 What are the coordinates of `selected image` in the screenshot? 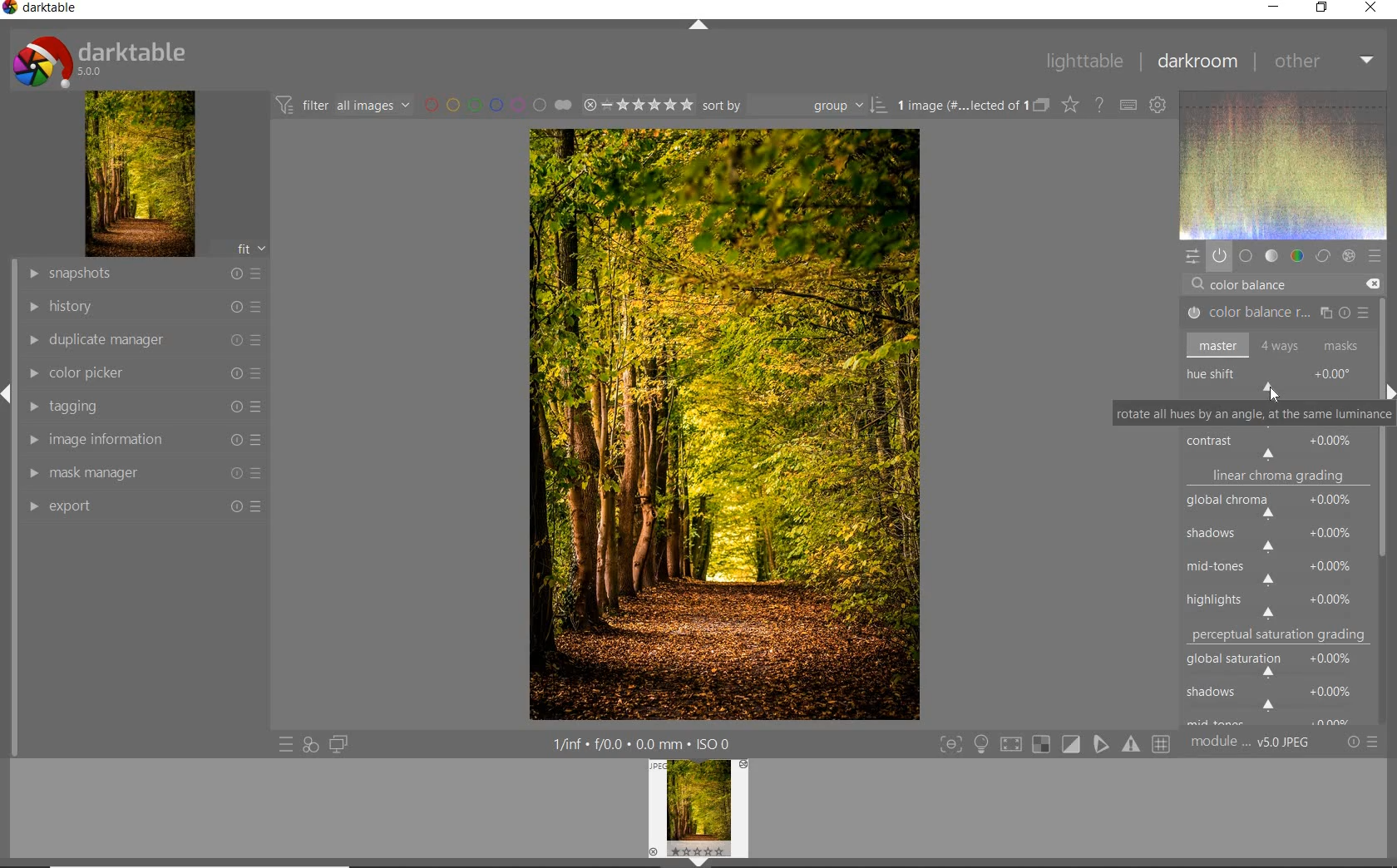 It's located at (723, 425).